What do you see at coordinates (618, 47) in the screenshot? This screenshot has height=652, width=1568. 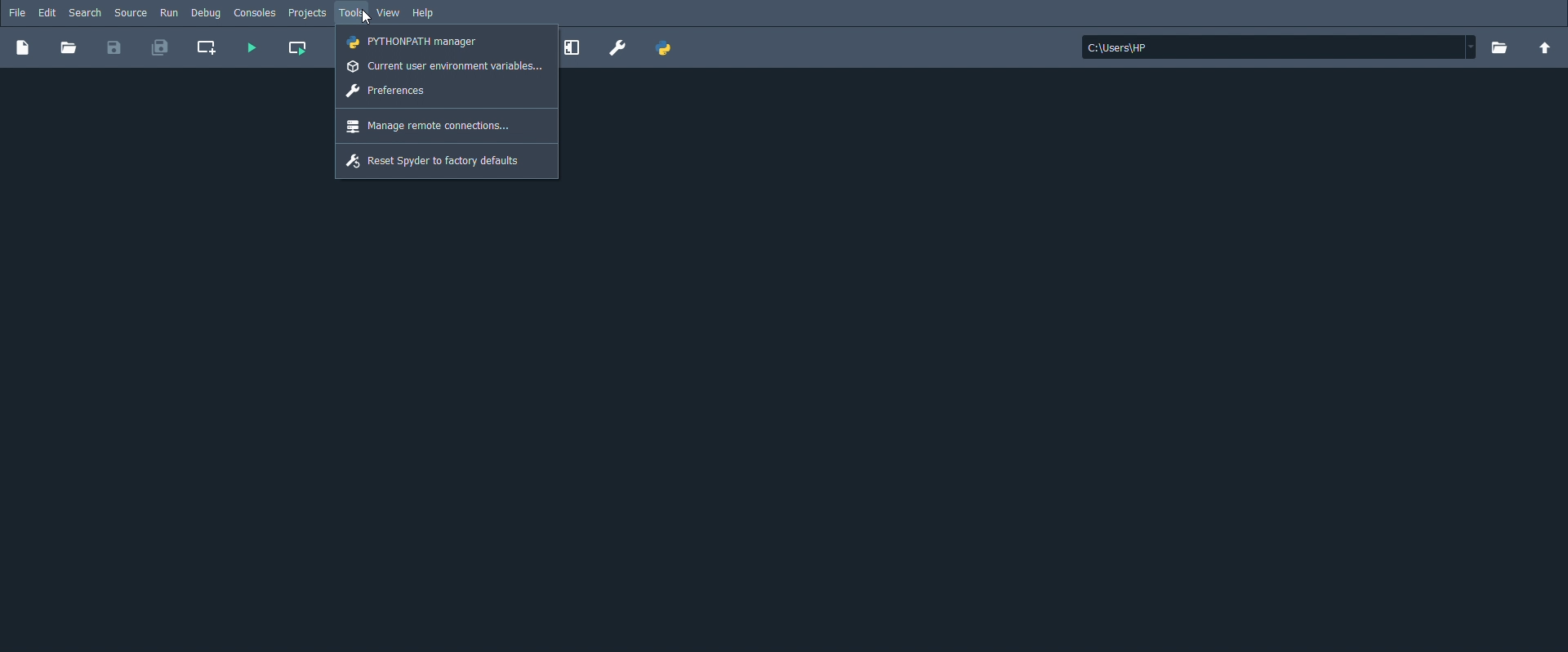 I see `Preferences` at bounding box center [618, 47].